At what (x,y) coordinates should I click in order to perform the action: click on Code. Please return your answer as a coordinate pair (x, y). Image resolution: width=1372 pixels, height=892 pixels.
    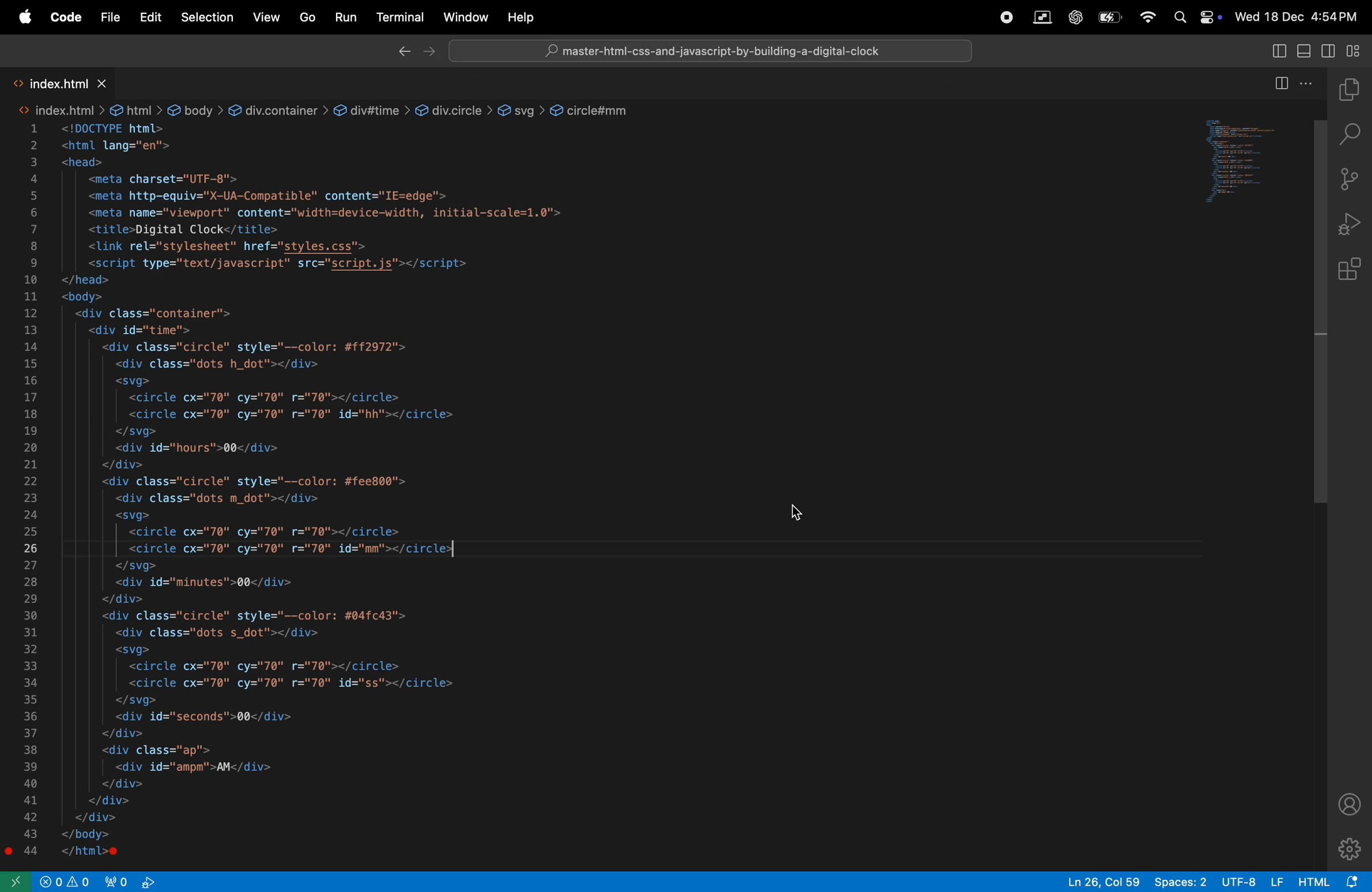
    Looking at the image, I should click on (66, 17).